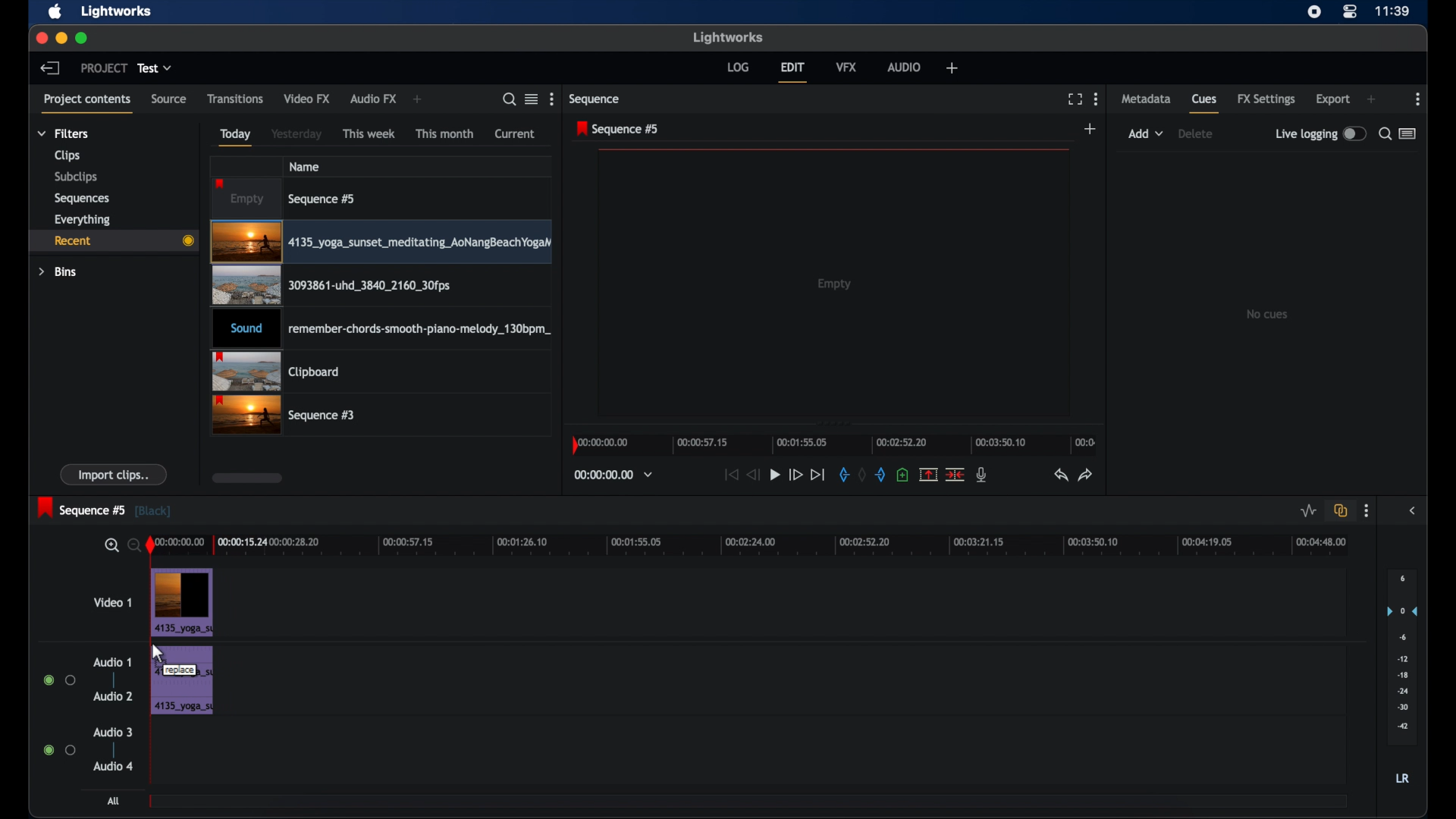  I want to click on audio 4, so click(111, 767).